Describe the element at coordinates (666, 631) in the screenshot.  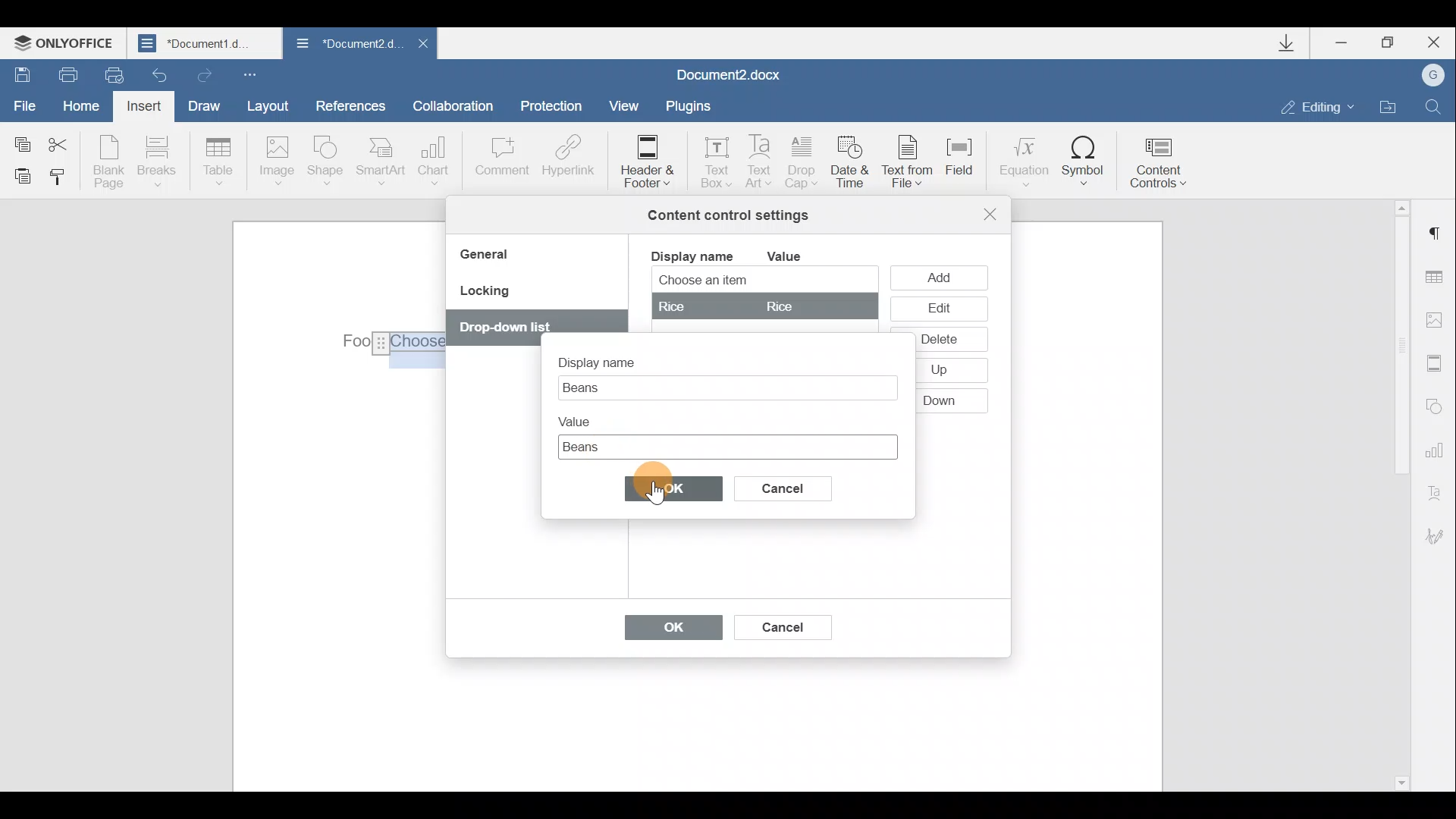
I see `OK` at that location.